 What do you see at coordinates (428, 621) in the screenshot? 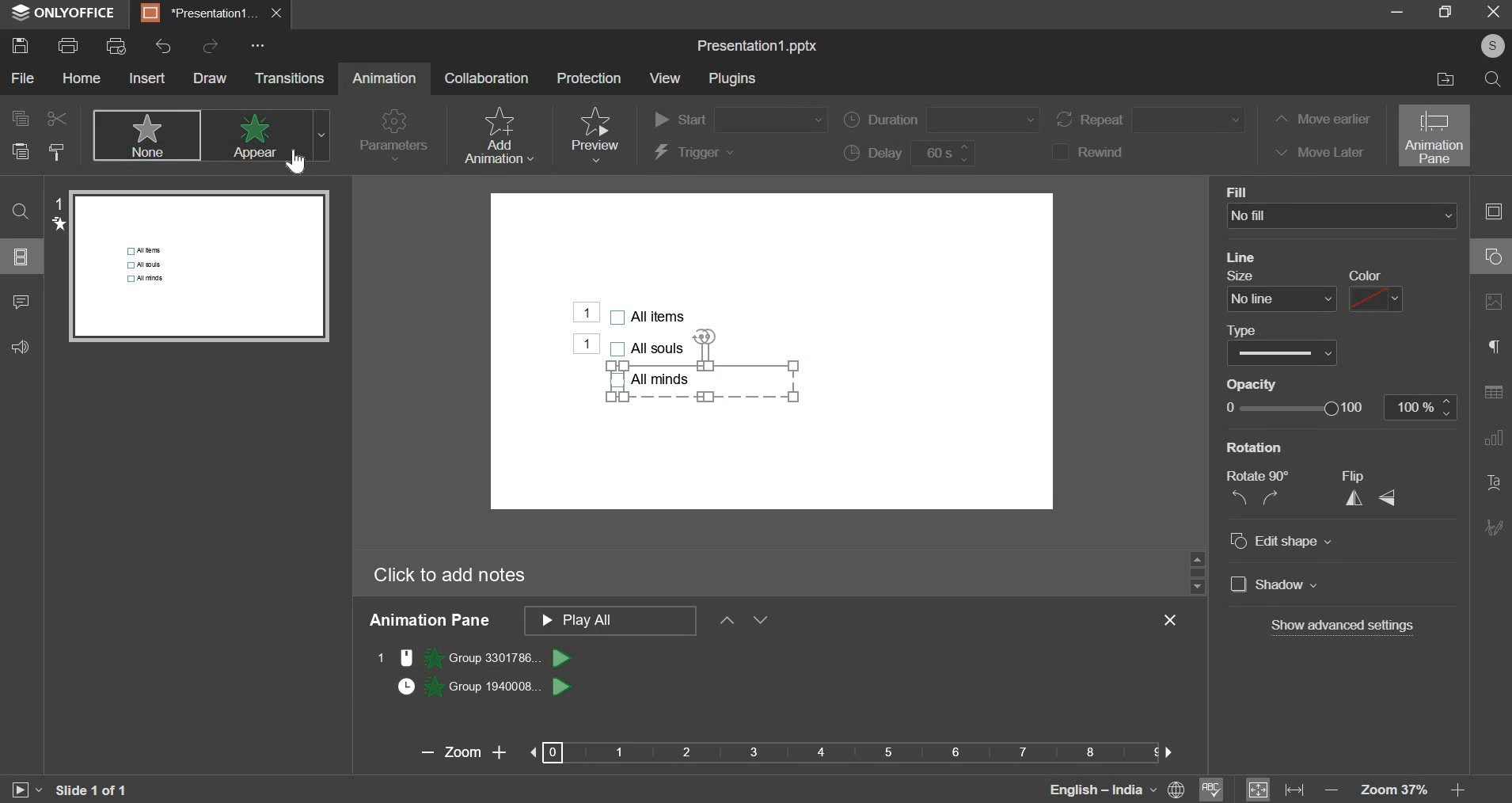
I see `animation pane` at bounding box center [428, 621].